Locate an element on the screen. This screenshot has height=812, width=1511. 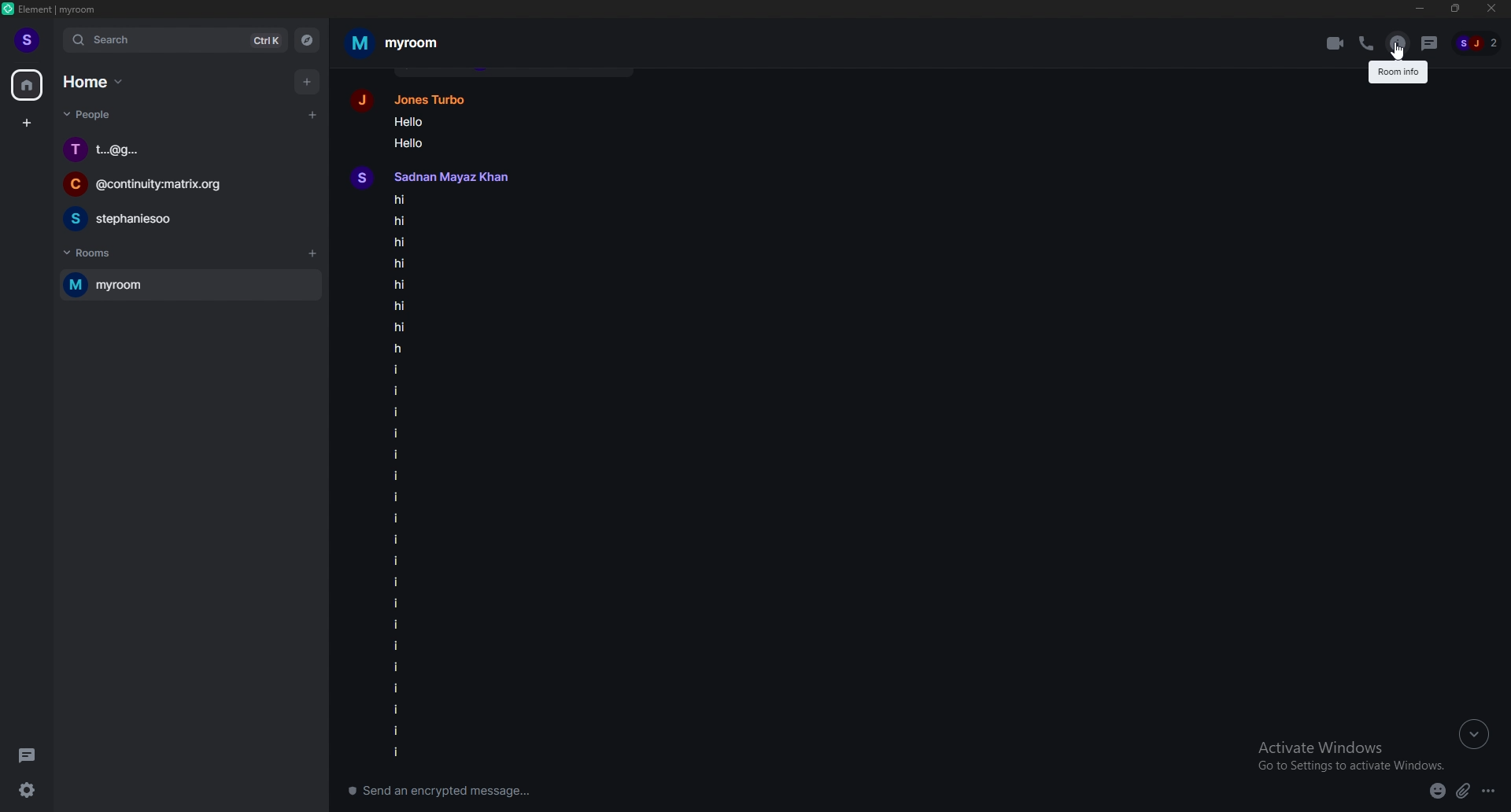
minimize is located at coordinates (1419, 8).